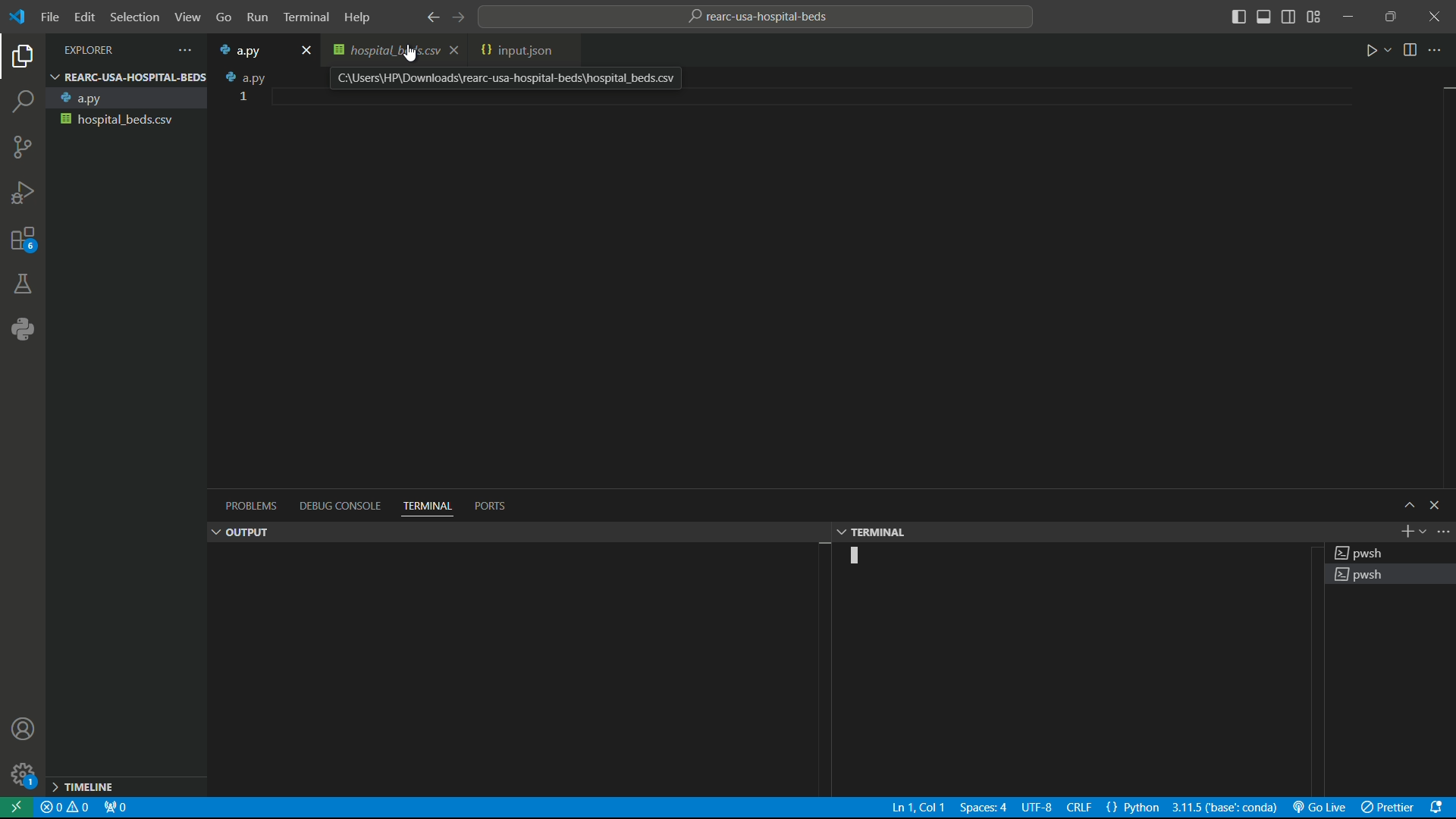 Image resolution: width=1456 pixels, height=819 pixels. What do you see at coordinates (1323, 808) in the screenshot?
I see `go live extension` at bounding box center [1323, 808].